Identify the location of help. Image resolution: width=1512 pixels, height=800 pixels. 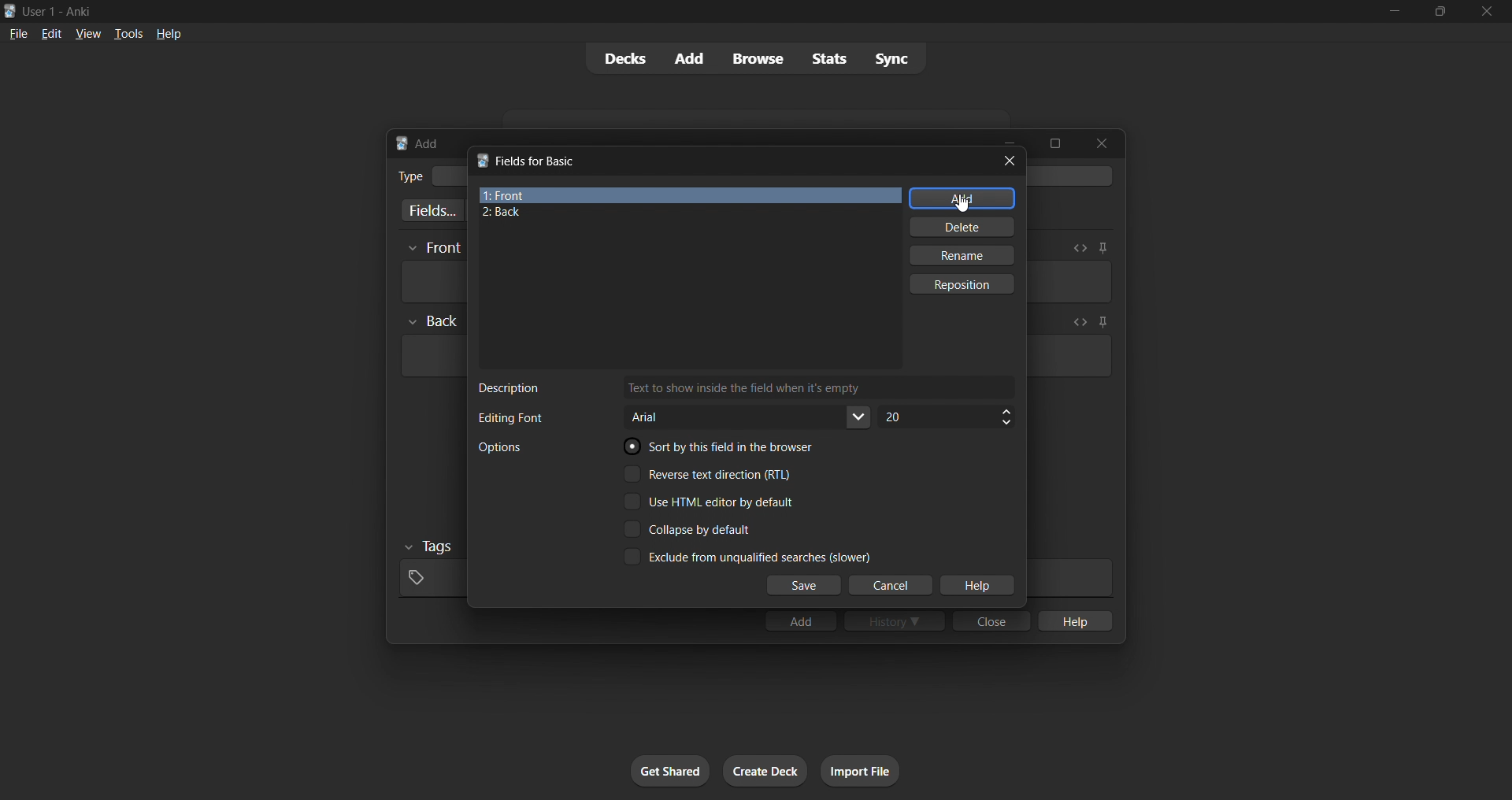
(976, 586).